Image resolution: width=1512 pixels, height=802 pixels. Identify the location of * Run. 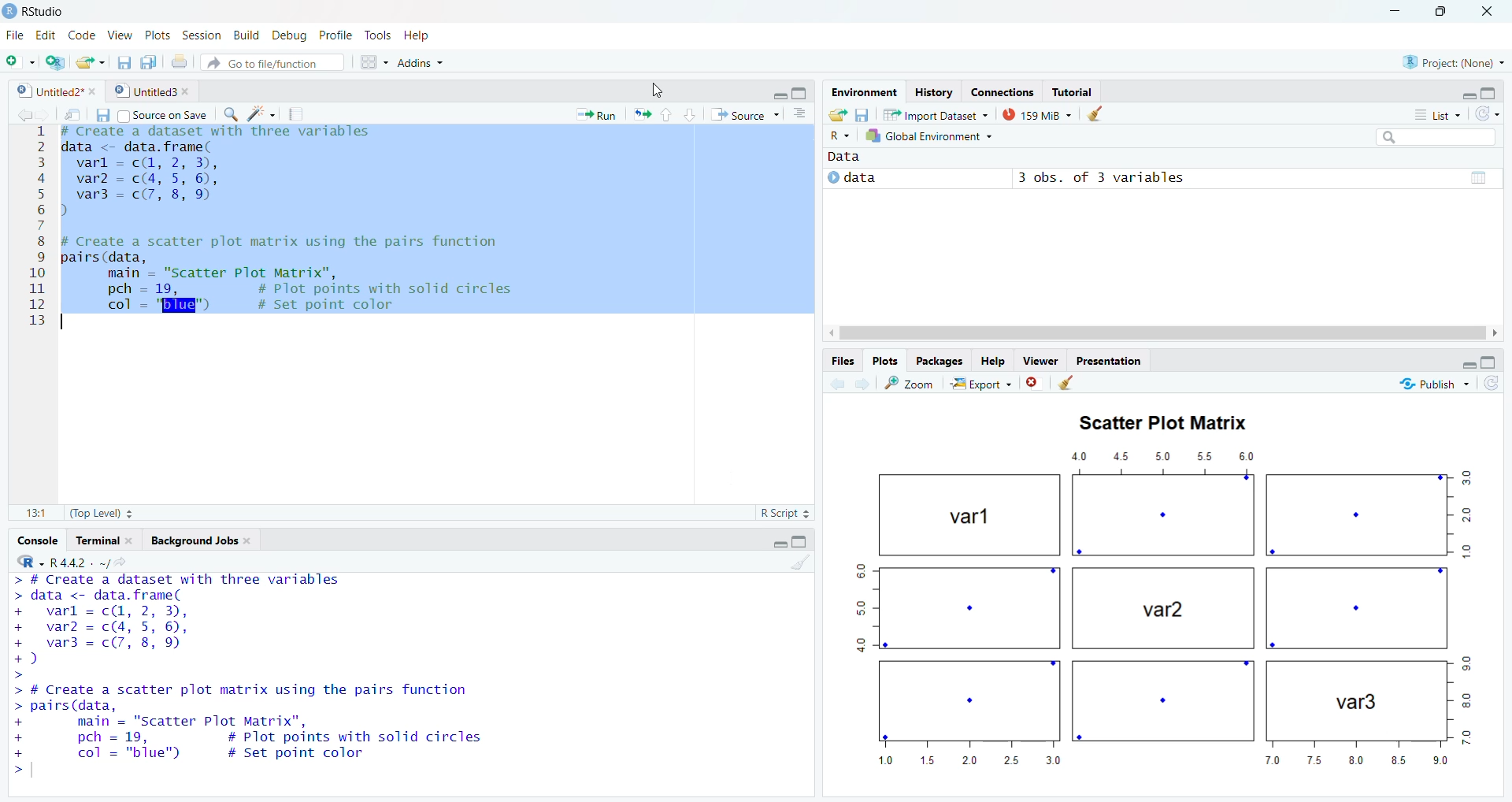
(595, 113).